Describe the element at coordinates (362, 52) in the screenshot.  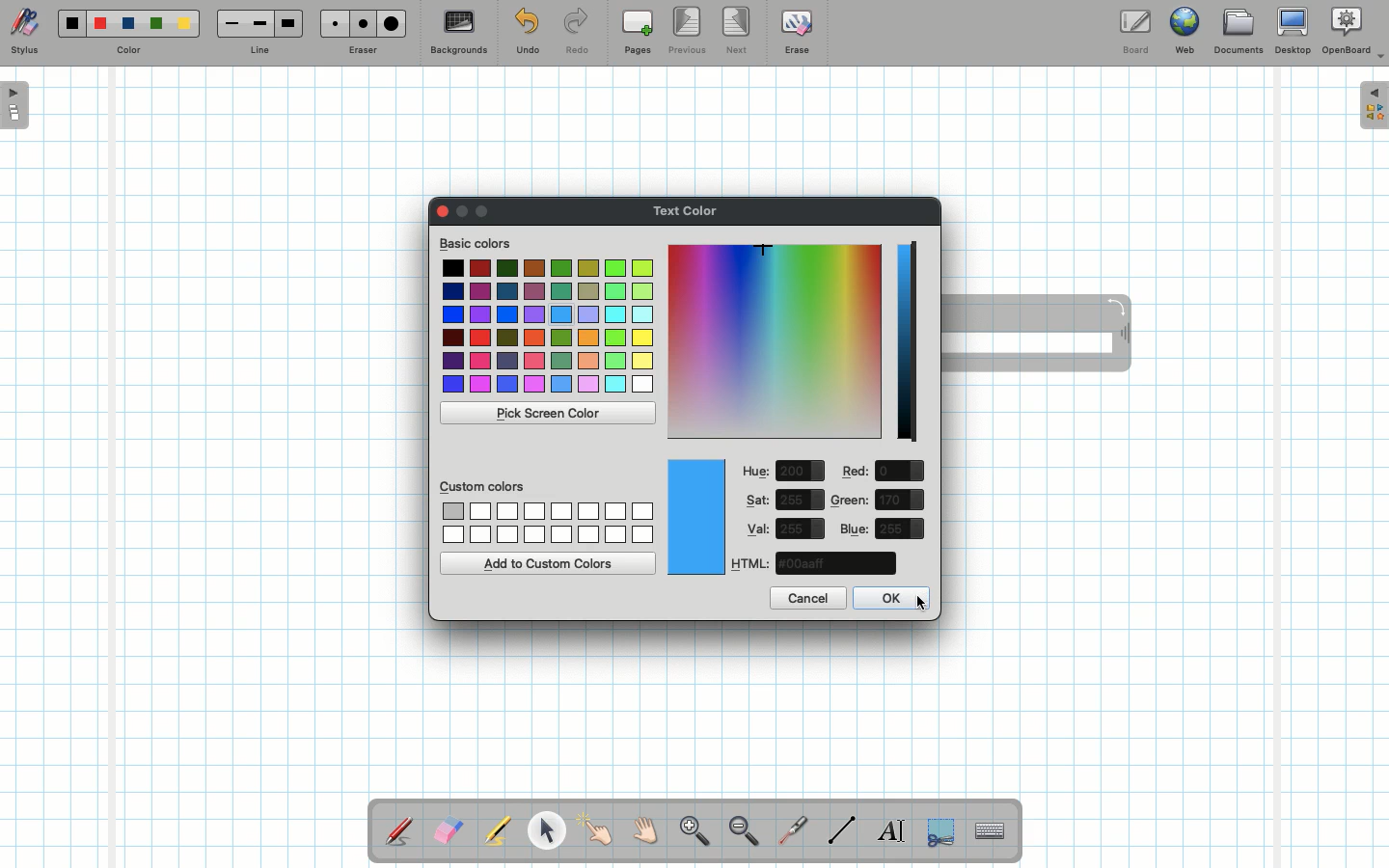
I see `Eraser` at that location.